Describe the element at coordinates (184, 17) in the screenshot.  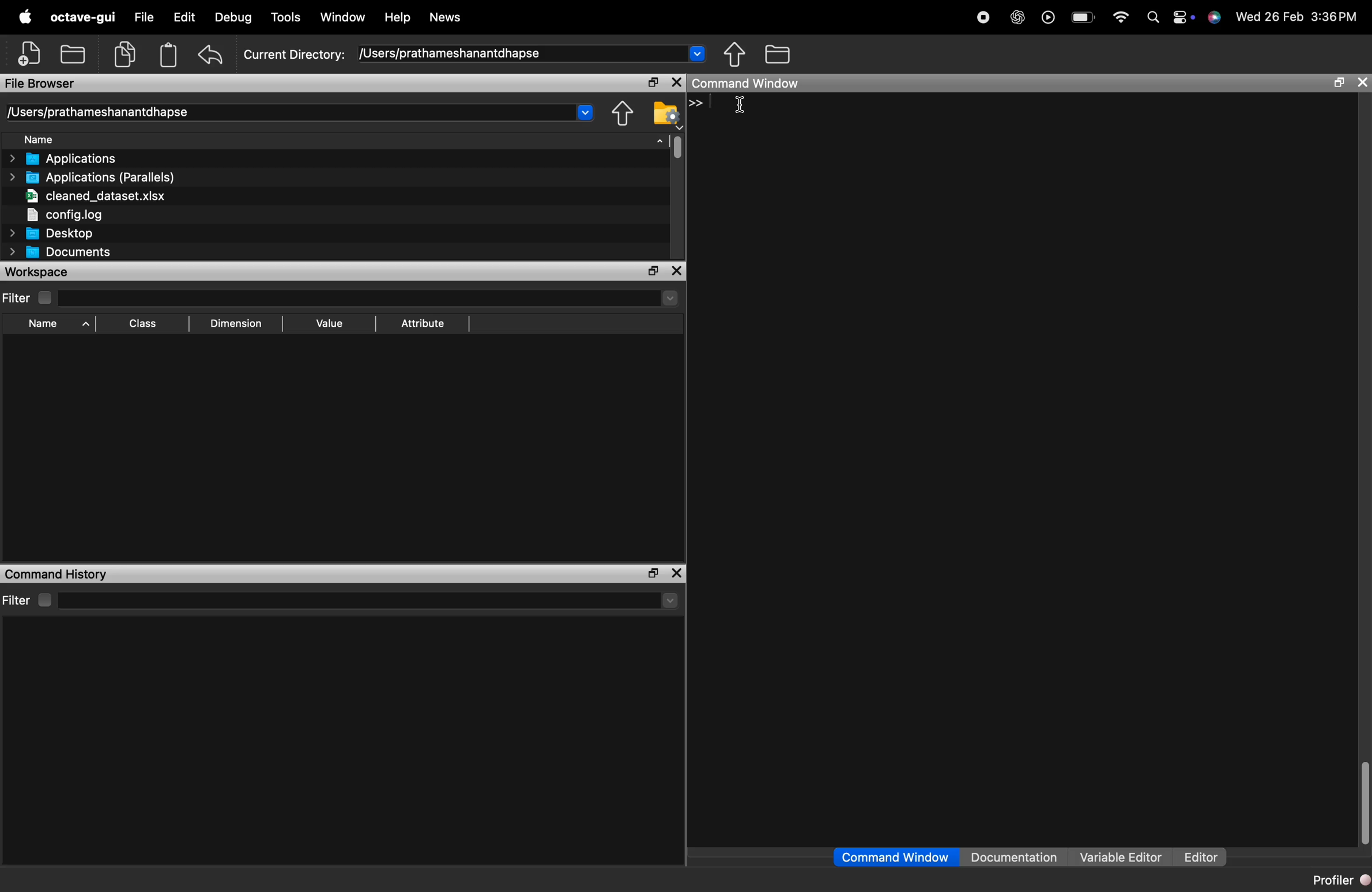
I see `Edit` at that location.